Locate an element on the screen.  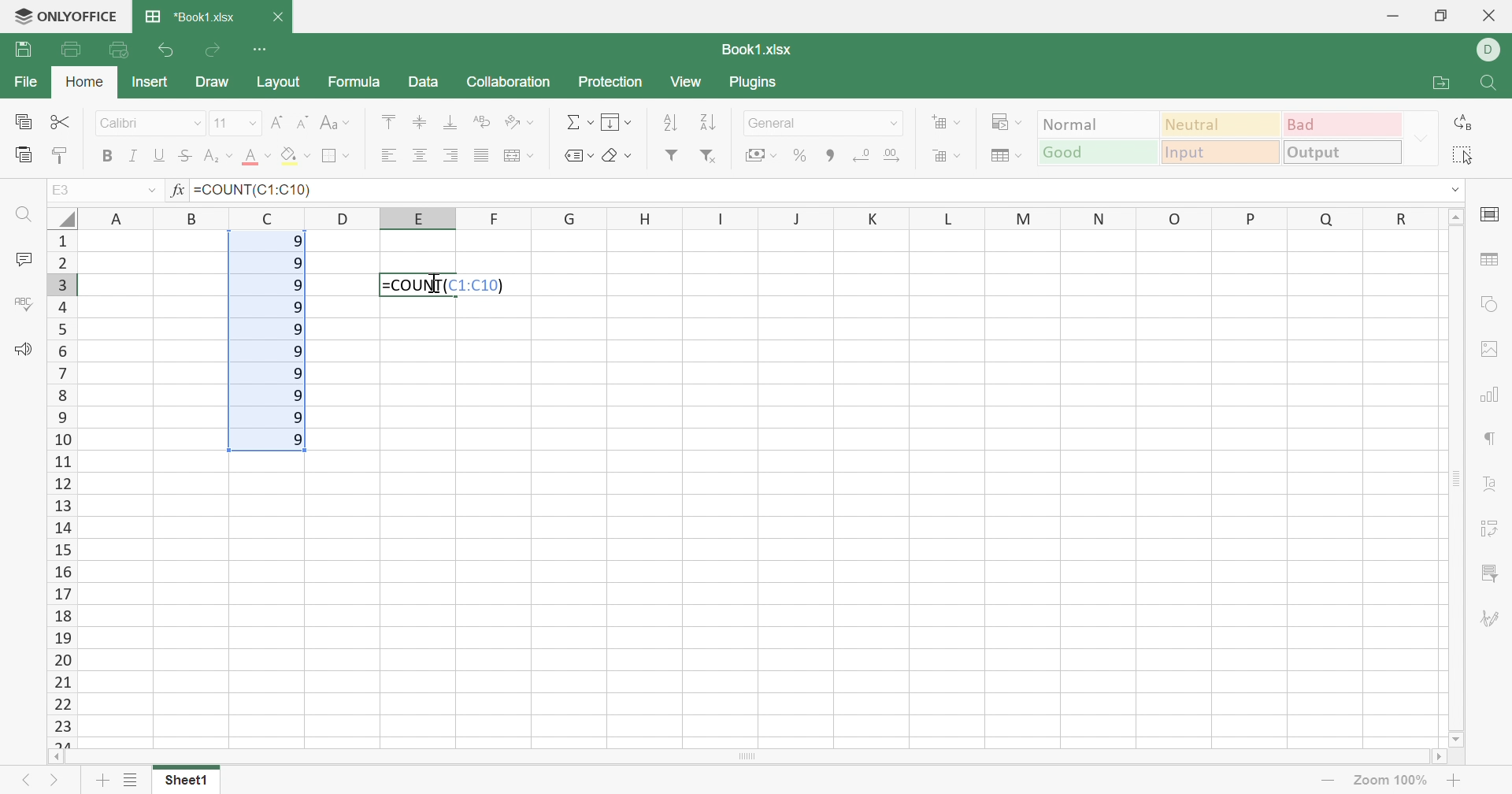
Customize Quick Access Toolbar is located at coordinates (259, 48).